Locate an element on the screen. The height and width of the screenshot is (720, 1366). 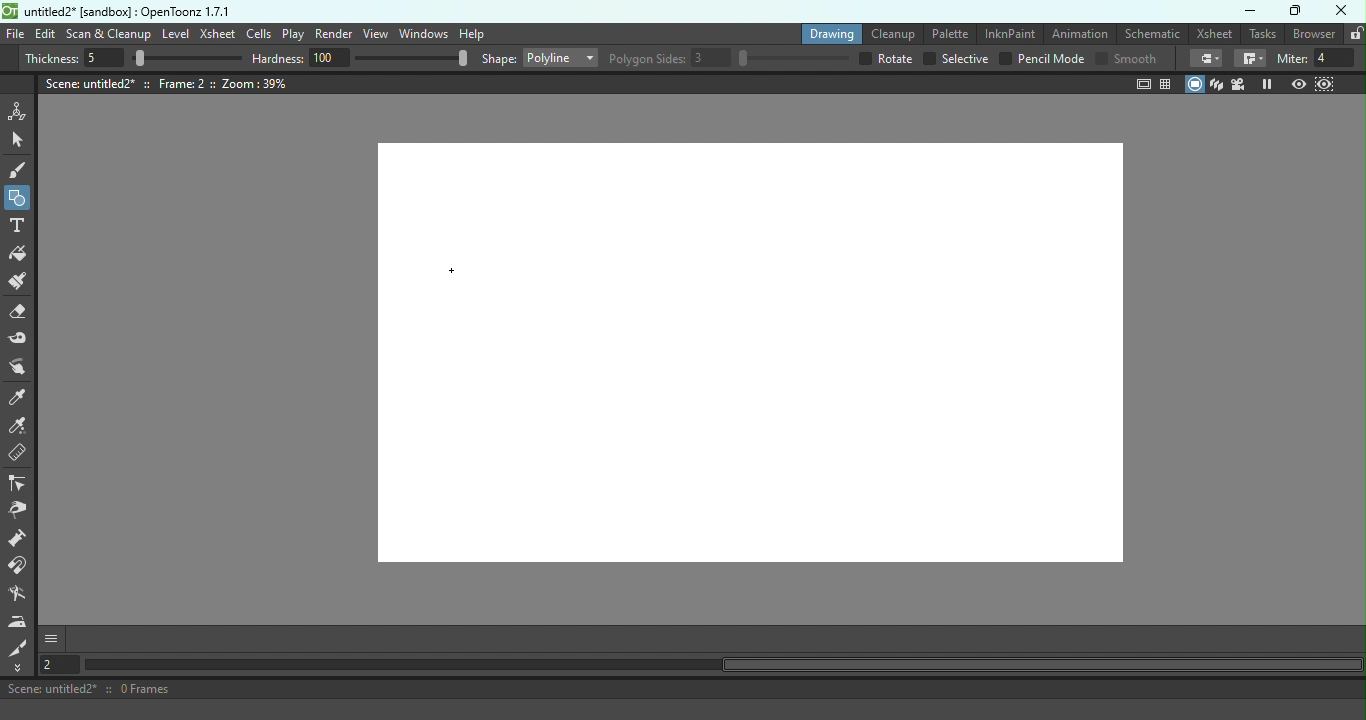
Miter is located at coordinates (1320, 59).